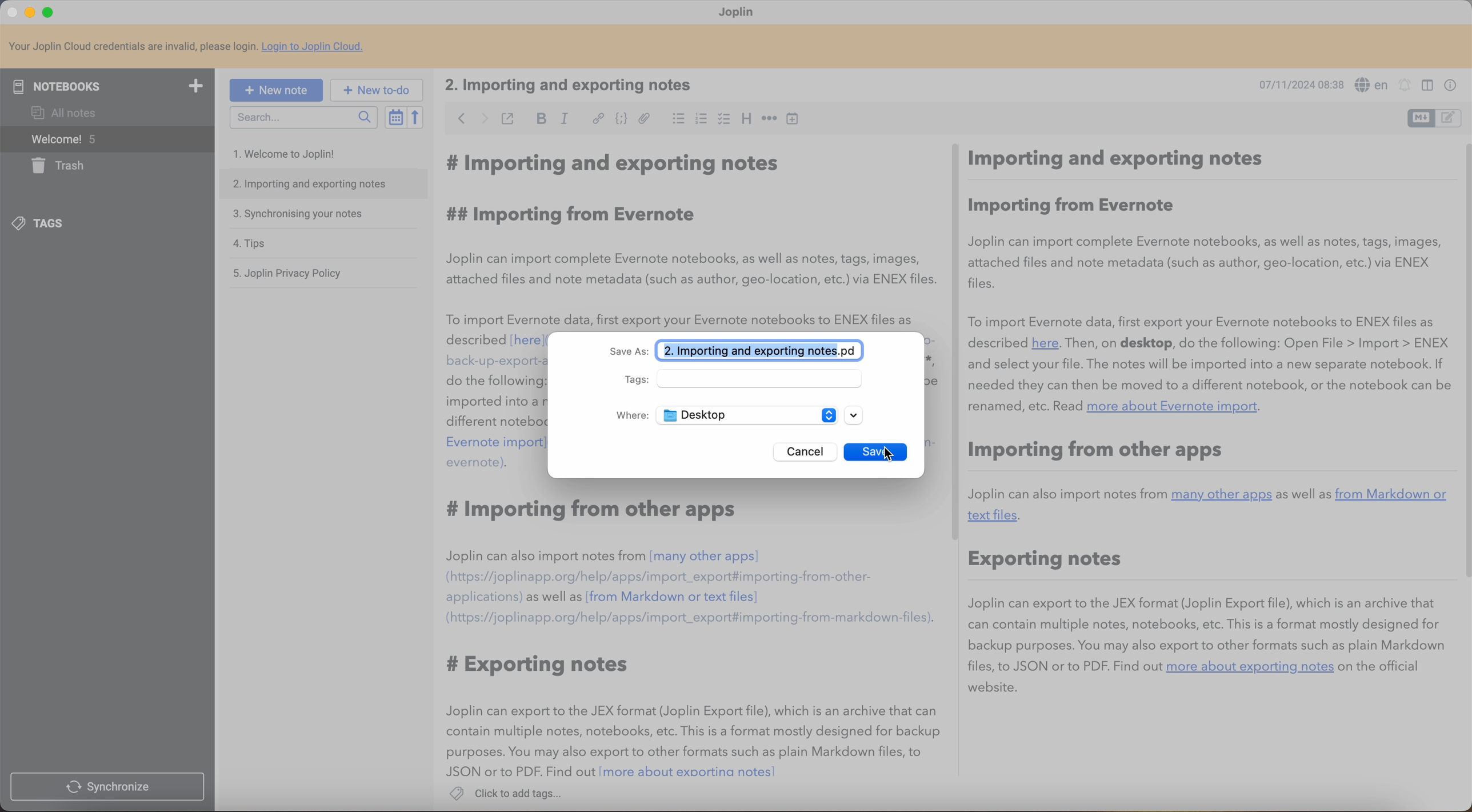 This screenshot has height=812, width=1472. I want to click on where (location) Desktop, so click(724, 415).